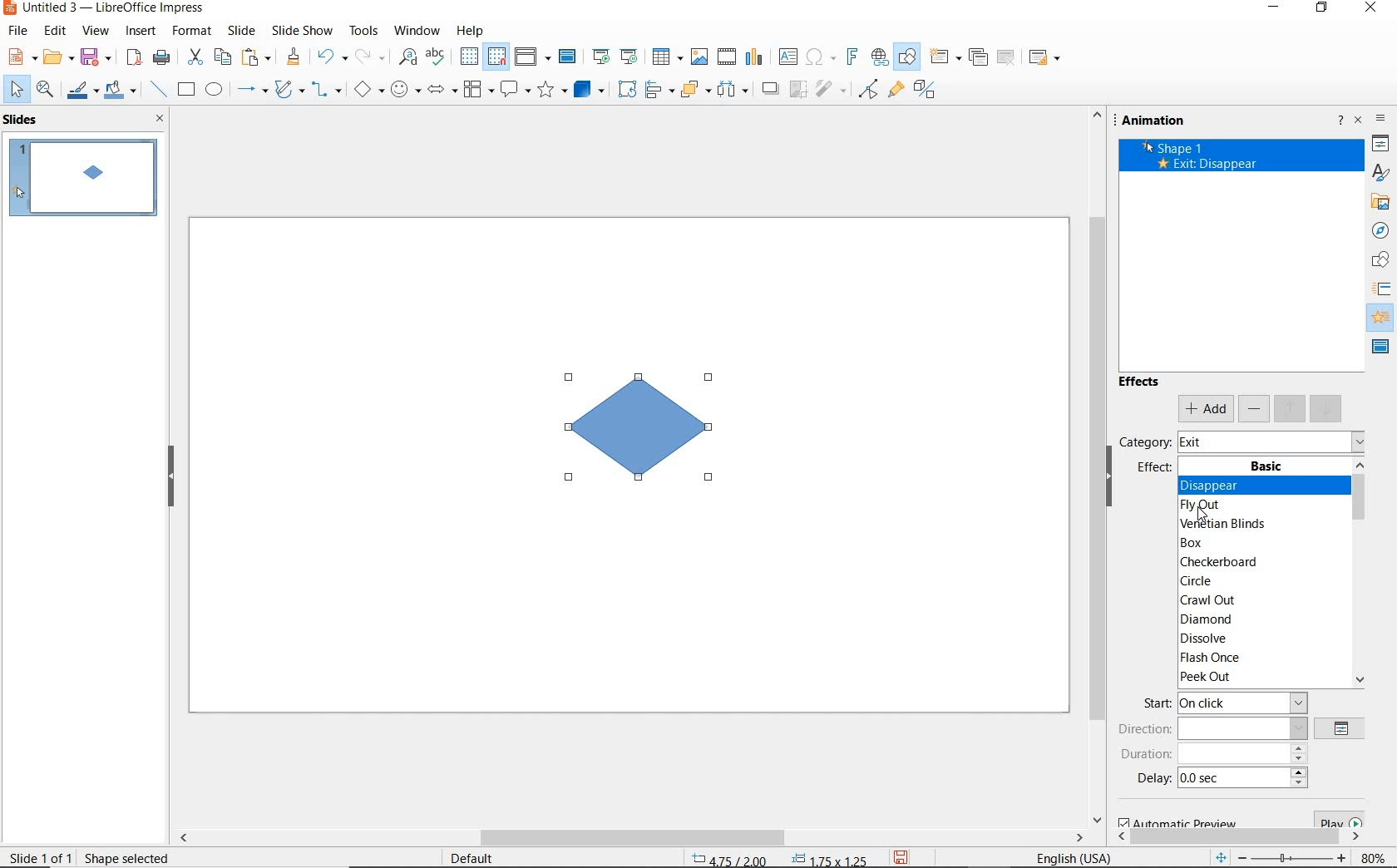 The width and height of the screenshot is (1397, 868). What do you see at coordinates (1381, 120) in the screenshot?
I see `sidebar settings` at bounding box center [1381, 120].